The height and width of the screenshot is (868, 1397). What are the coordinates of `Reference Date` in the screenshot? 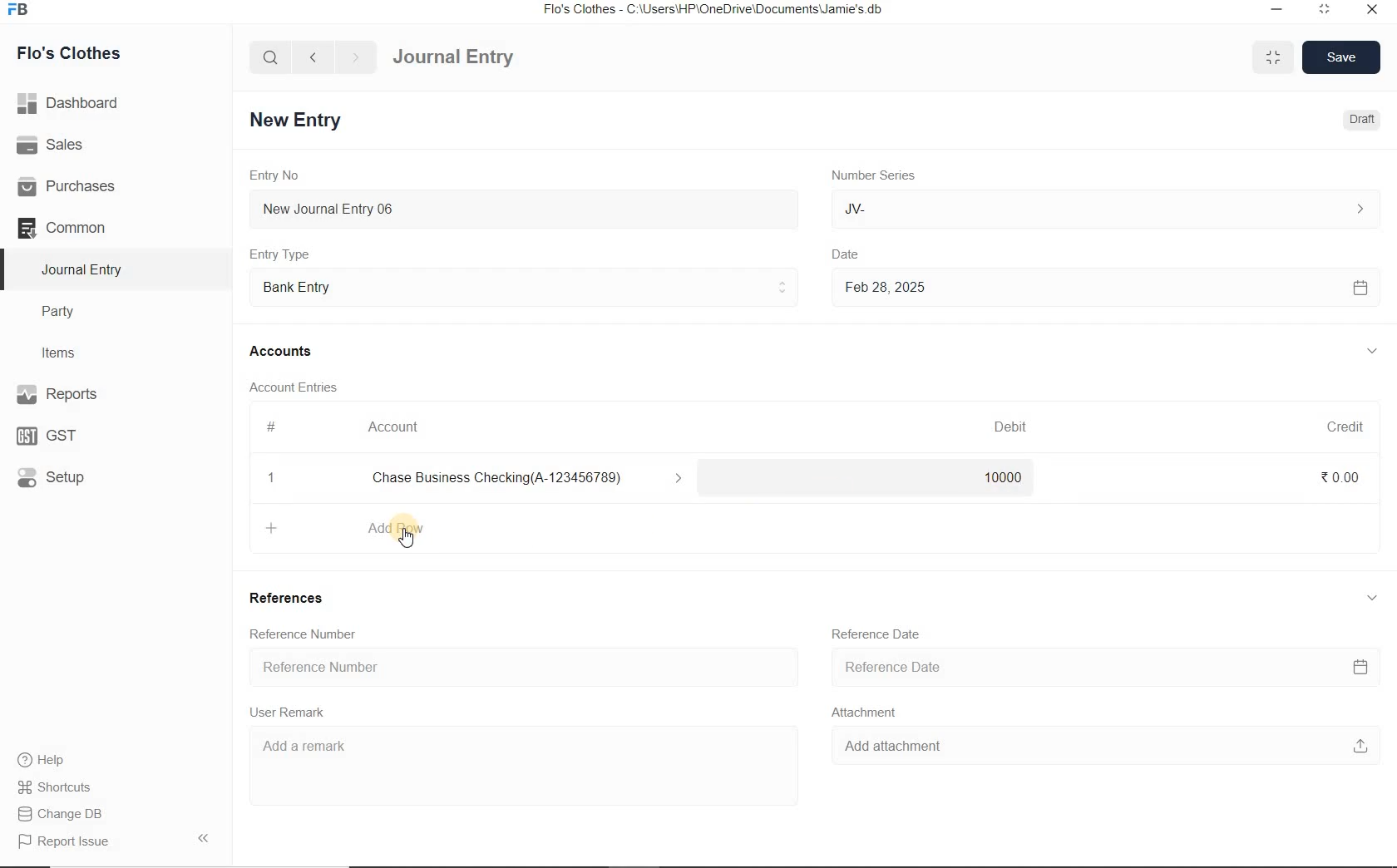 It's located at (879, 634).